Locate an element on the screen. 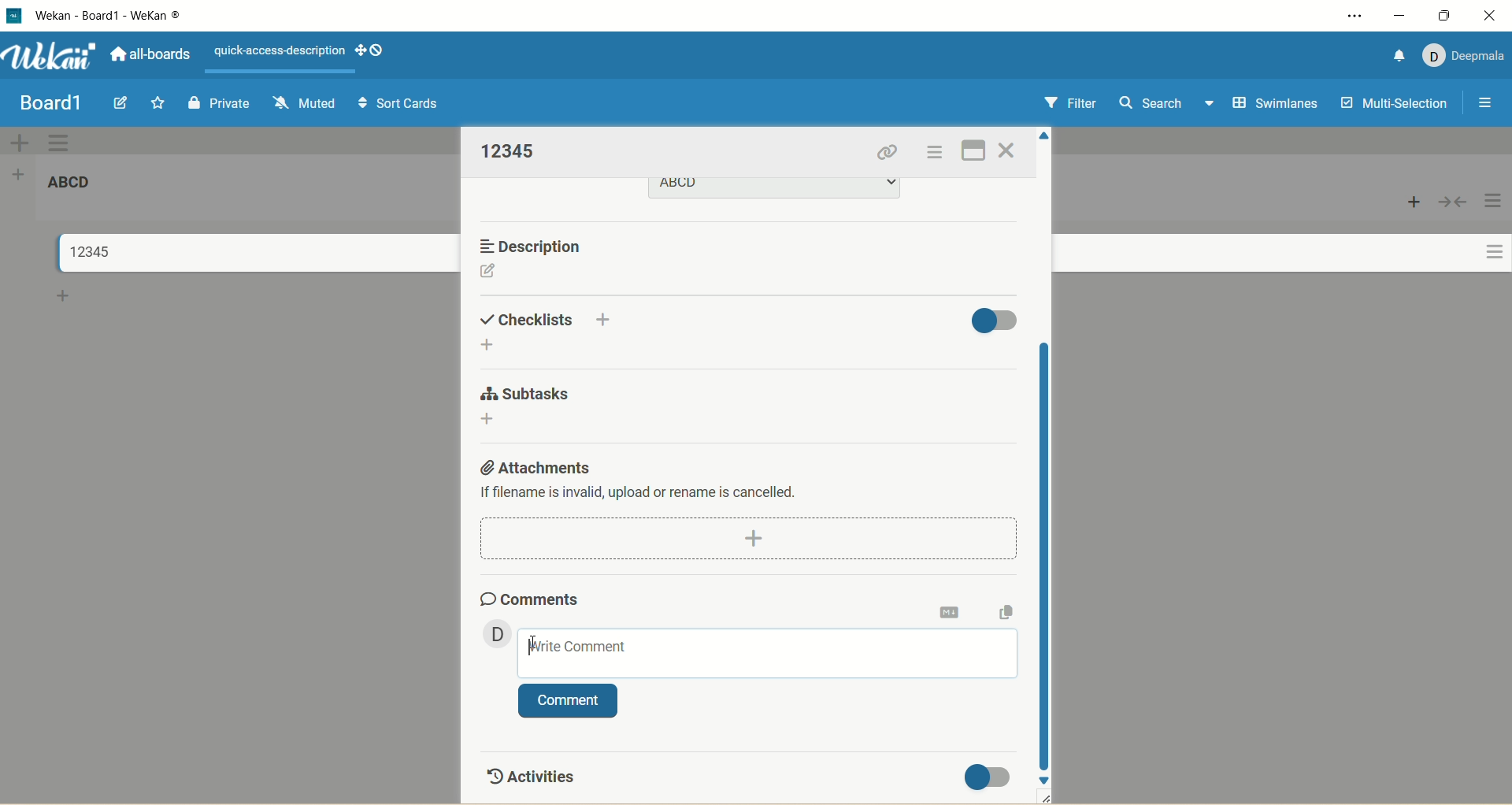 The width and height of the screenshot is (1512, 805). muted is located at coordinates (301, 101).